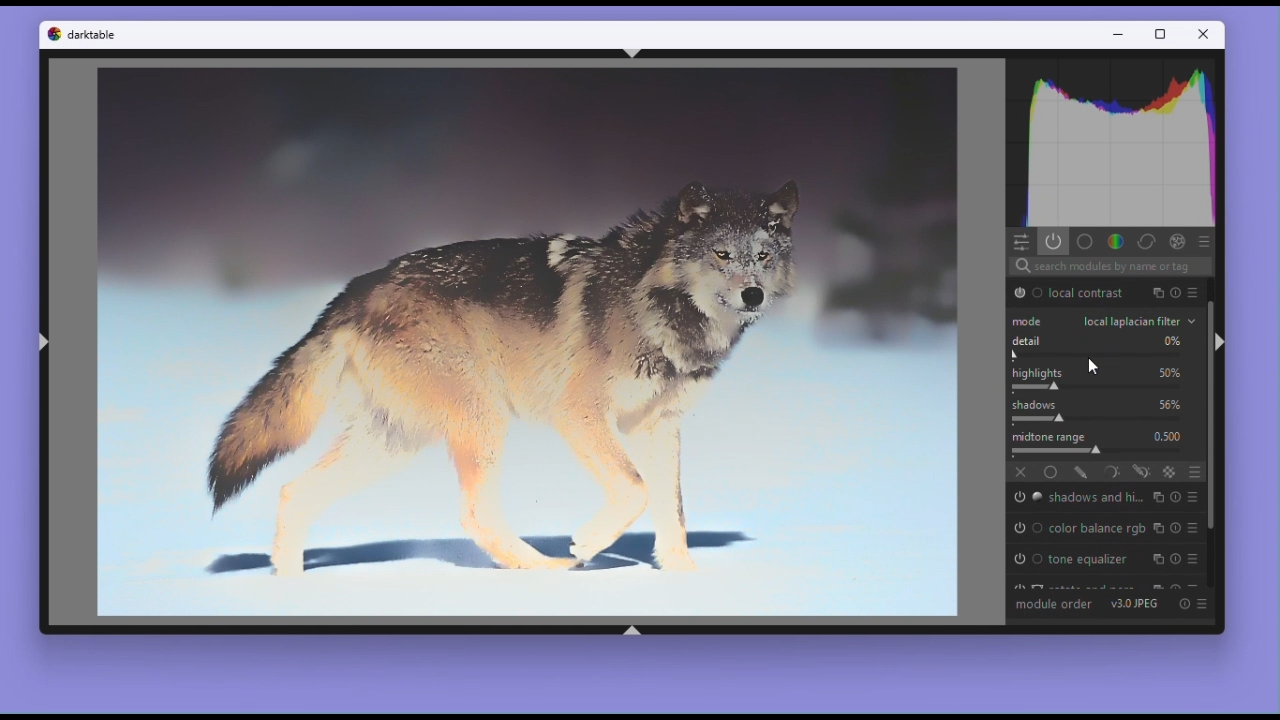 The image size is (1280, 720). Describe the element at coordinates (1026, 292) in the screenshot. I see `'Local contrast' is switched on` at that location.